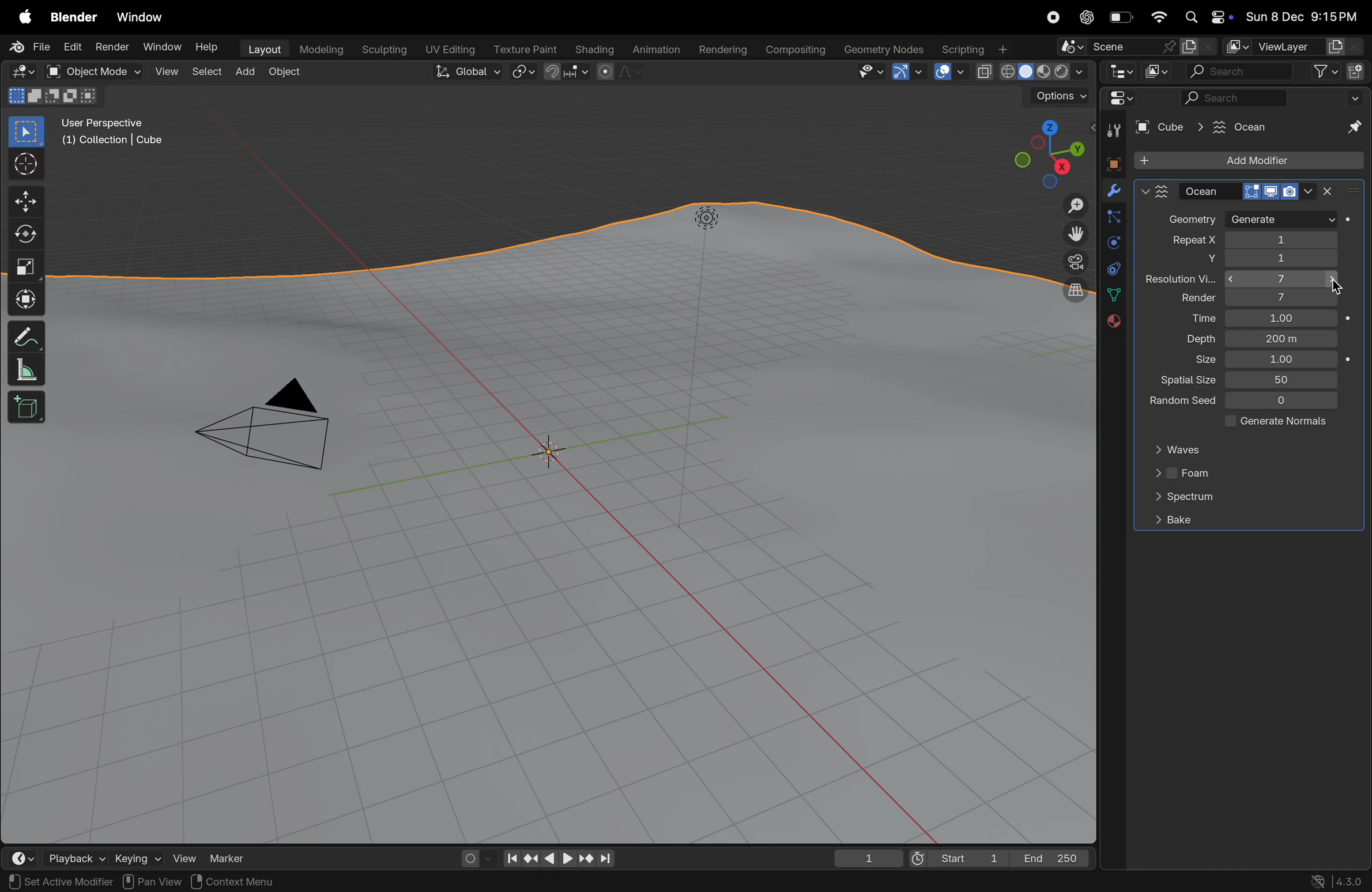  I want to click on battery, so click(1122, 20).